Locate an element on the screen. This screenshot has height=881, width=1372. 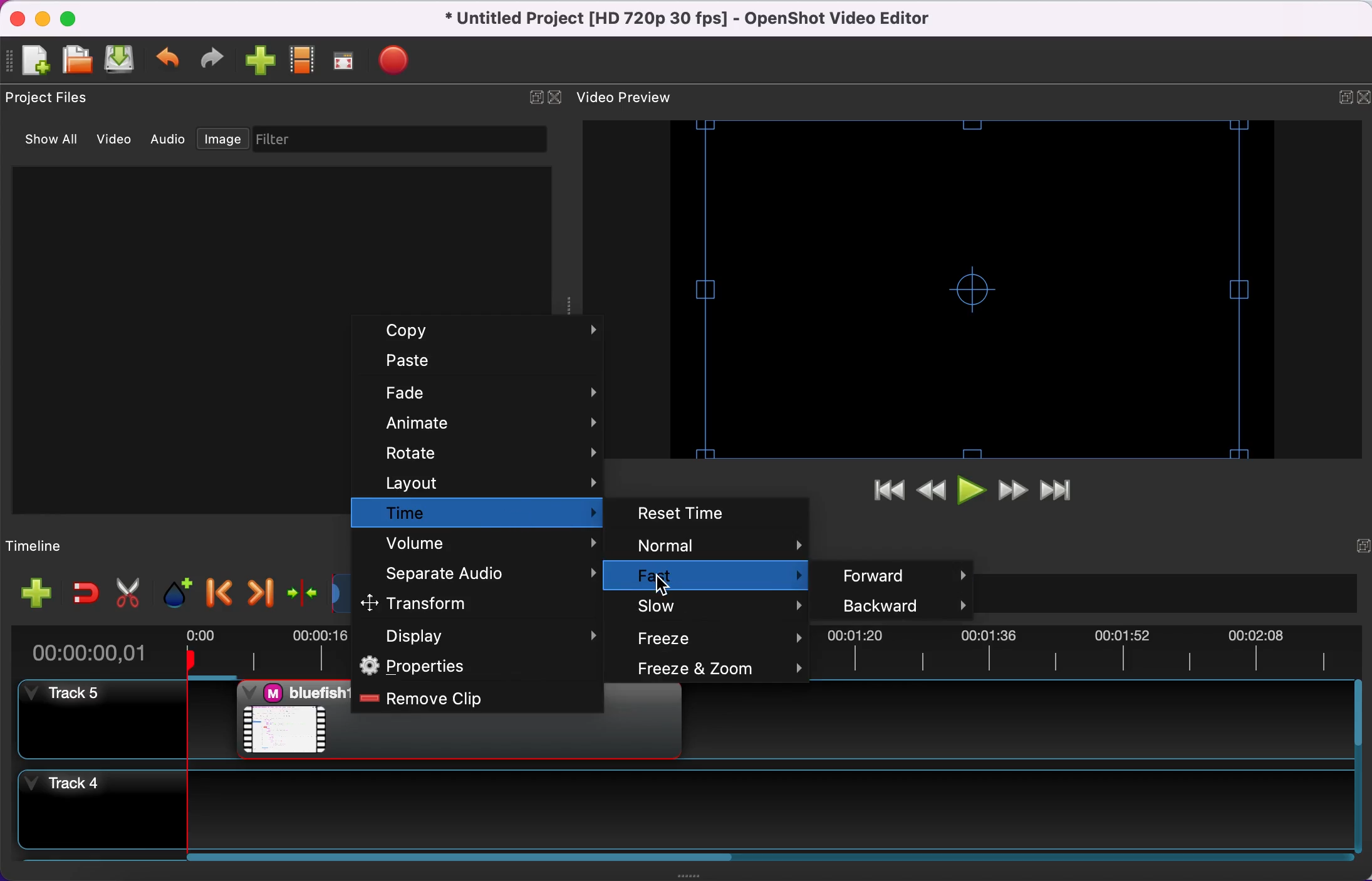
show all is located at coordinates (49, 143).